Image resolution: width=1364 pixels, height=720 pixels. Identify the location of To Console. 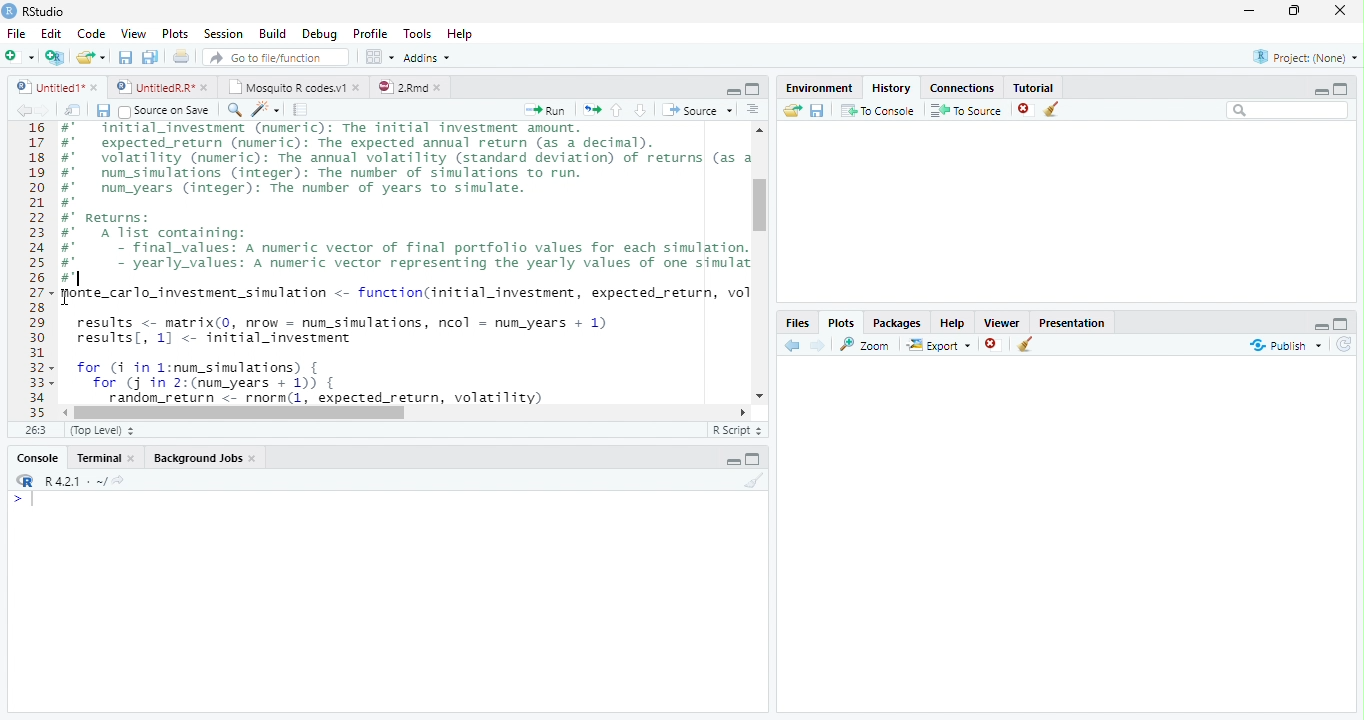
(877, 110).